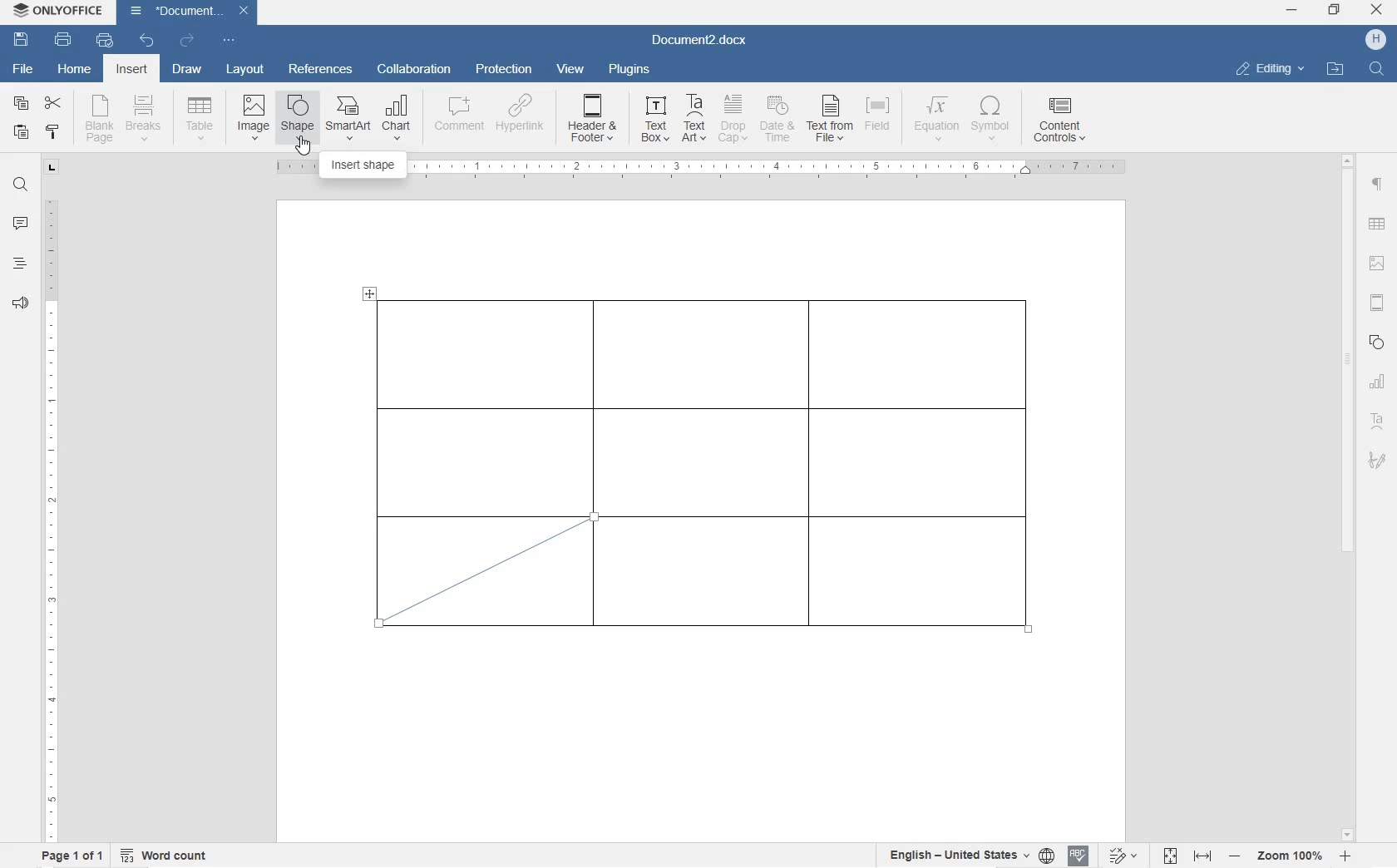 This screenshot has width=1397, height=868. I want to click on insert page breaks, so click(146, 119).